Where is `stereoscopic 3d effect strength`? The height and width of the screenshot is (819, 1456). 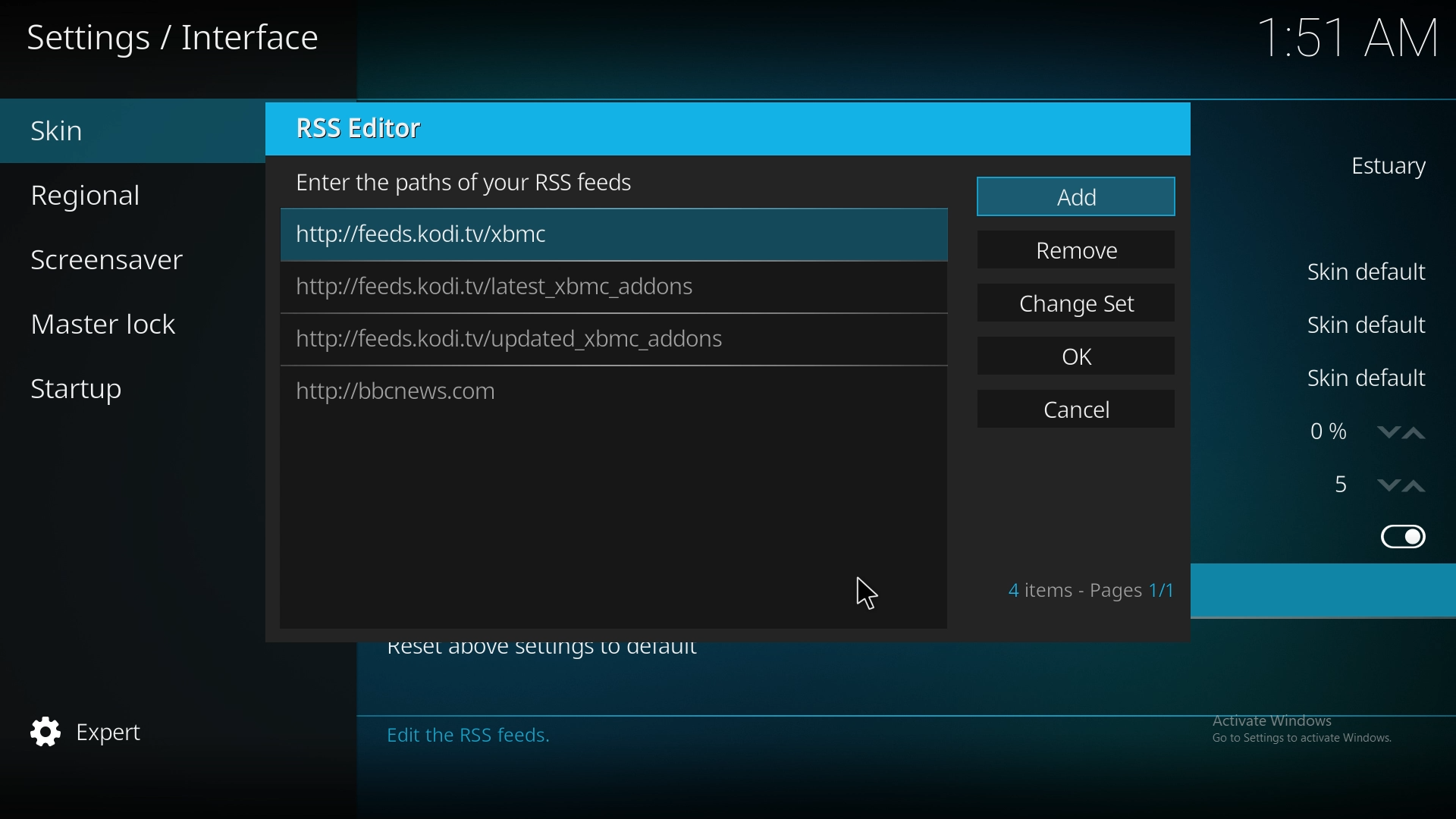 stereoscopic 3d effect strength is located at coordinates (1345, 485).